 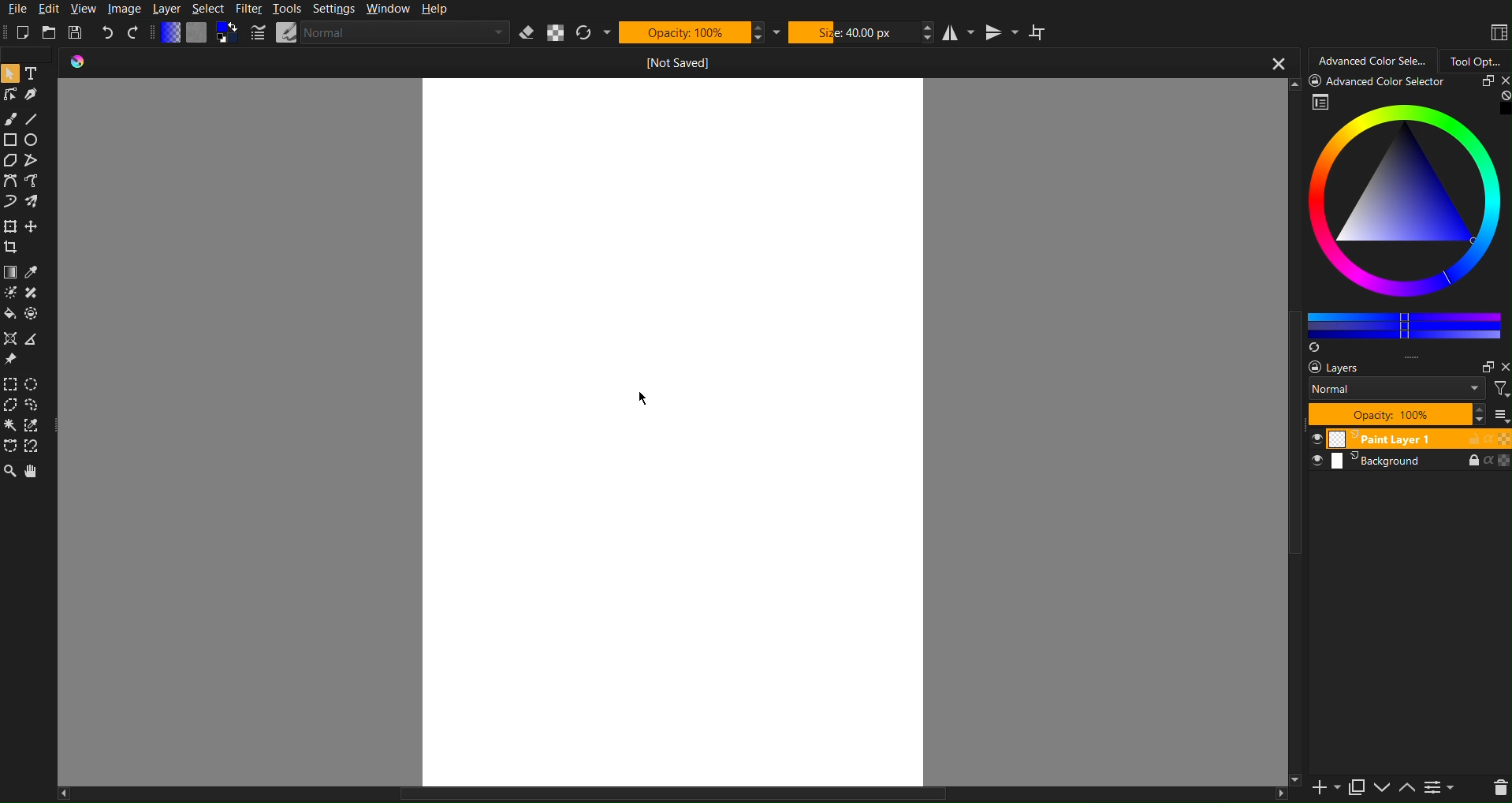 What do you see at coordinates (671, 793) in the screenshot?
I see `` at bounding box center [671, 793].